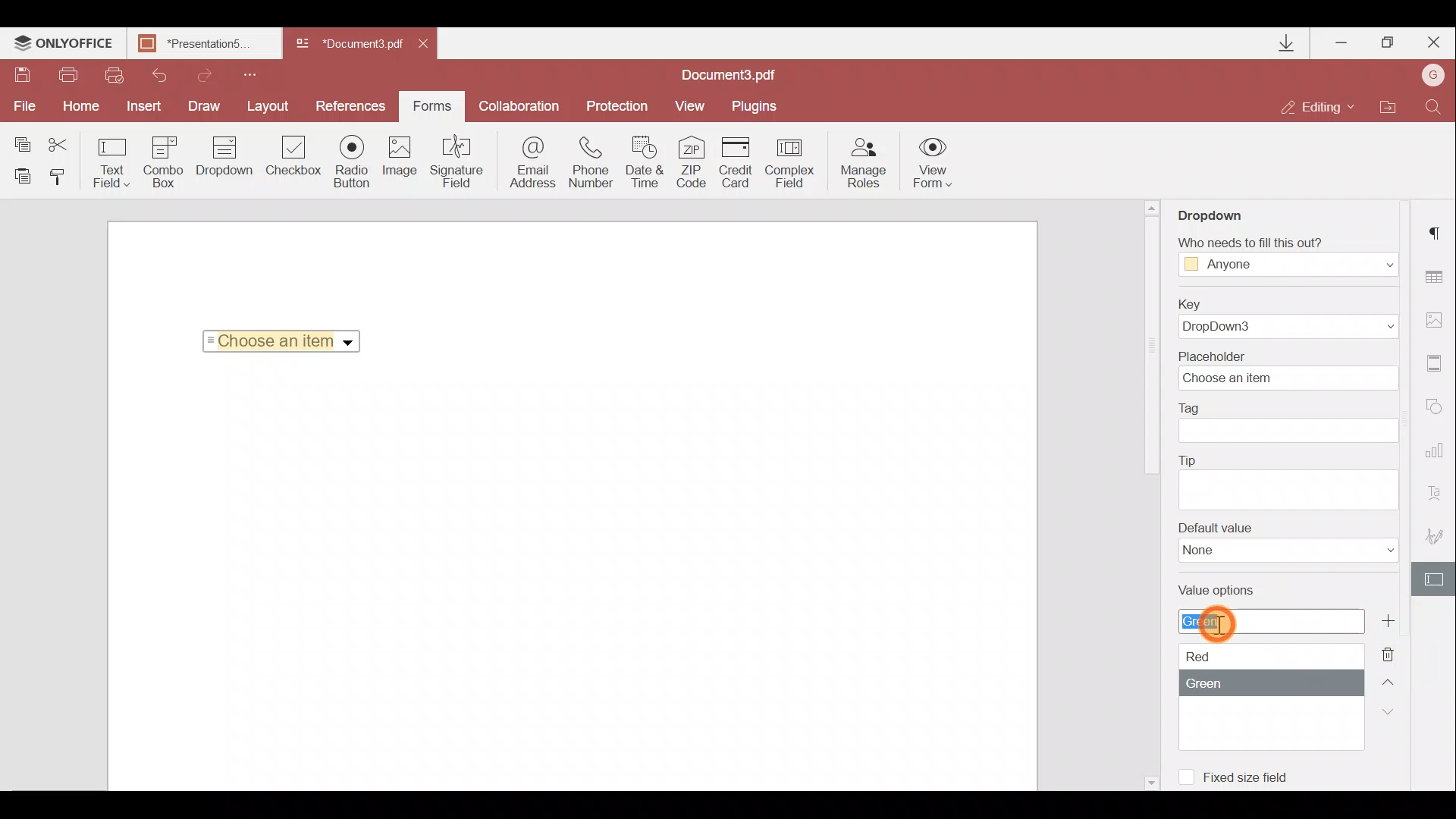  Describe the element at coordinates (1295, 424) in the screenshot. I see `Tag` at that location.